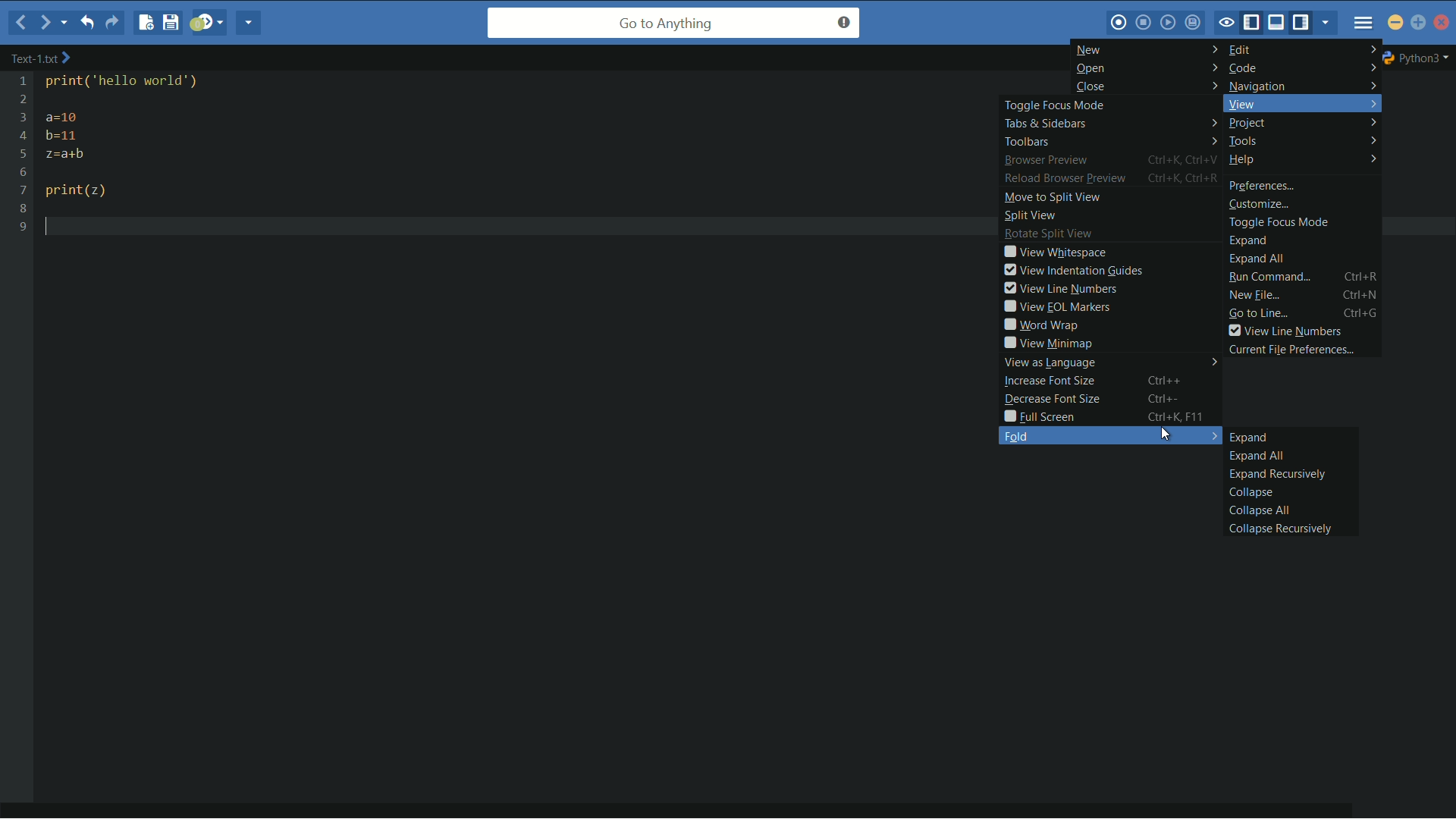  Describe the element at coordinates (1055, 306) in the screenshot. I see `view eol markers` at that location.